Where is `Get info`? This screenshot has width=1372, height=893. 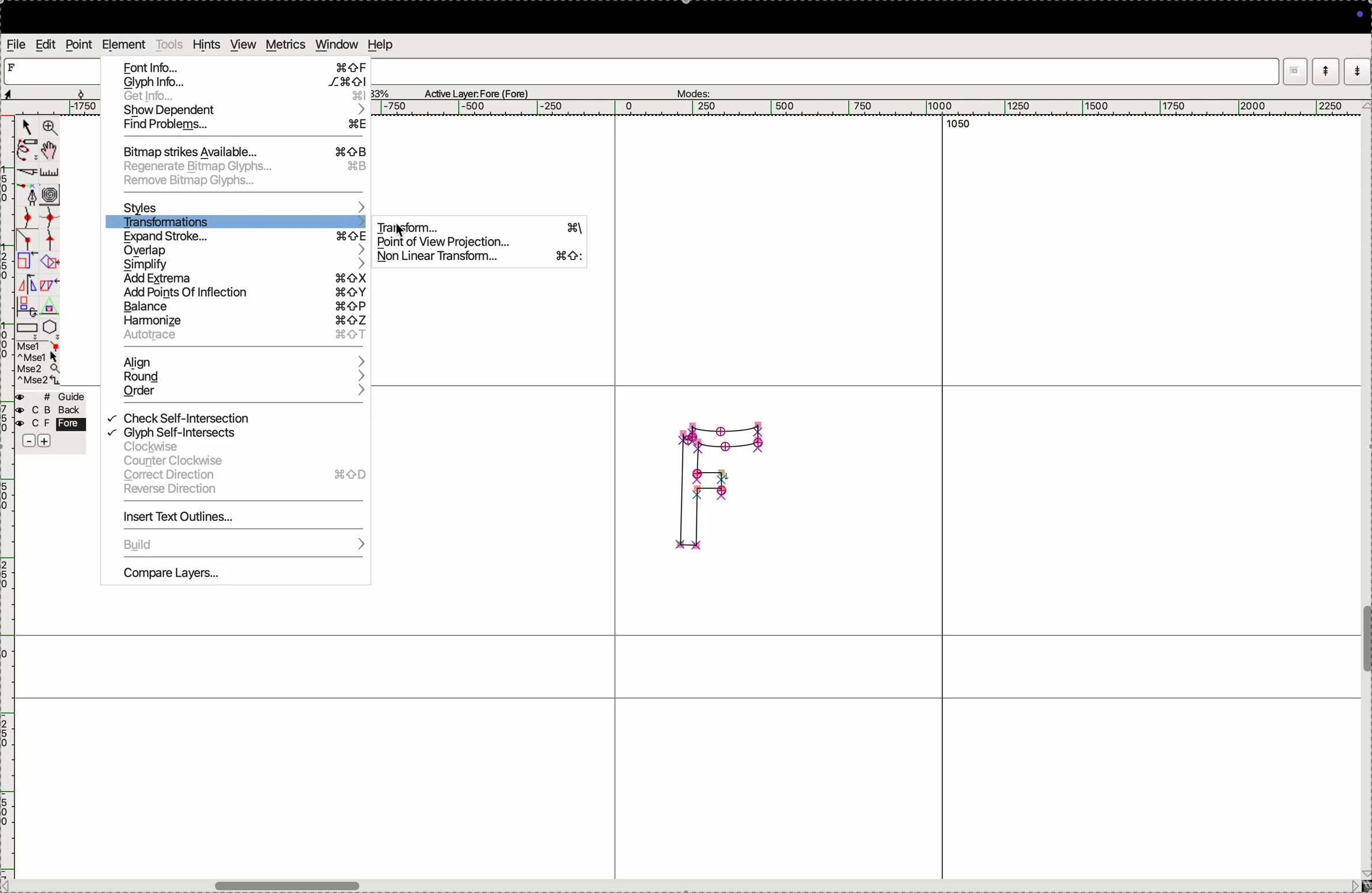
Get info is located at coordinates (240, 97).